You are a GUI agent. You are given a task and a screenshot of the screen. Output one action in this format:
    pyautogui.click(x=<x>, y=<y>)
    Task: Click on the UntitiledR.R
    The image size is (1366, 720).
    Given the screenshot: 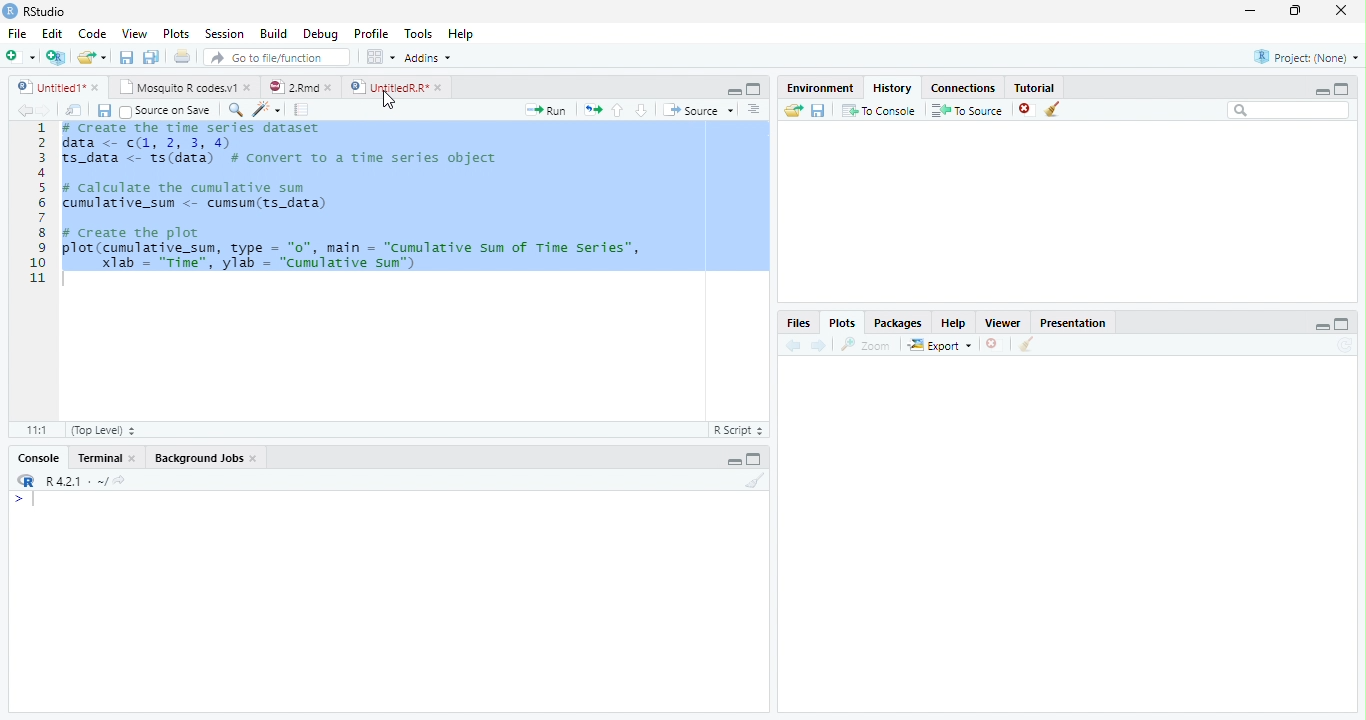 What is the action you would take?
    pyautogui.click(x=400, y=86)
    